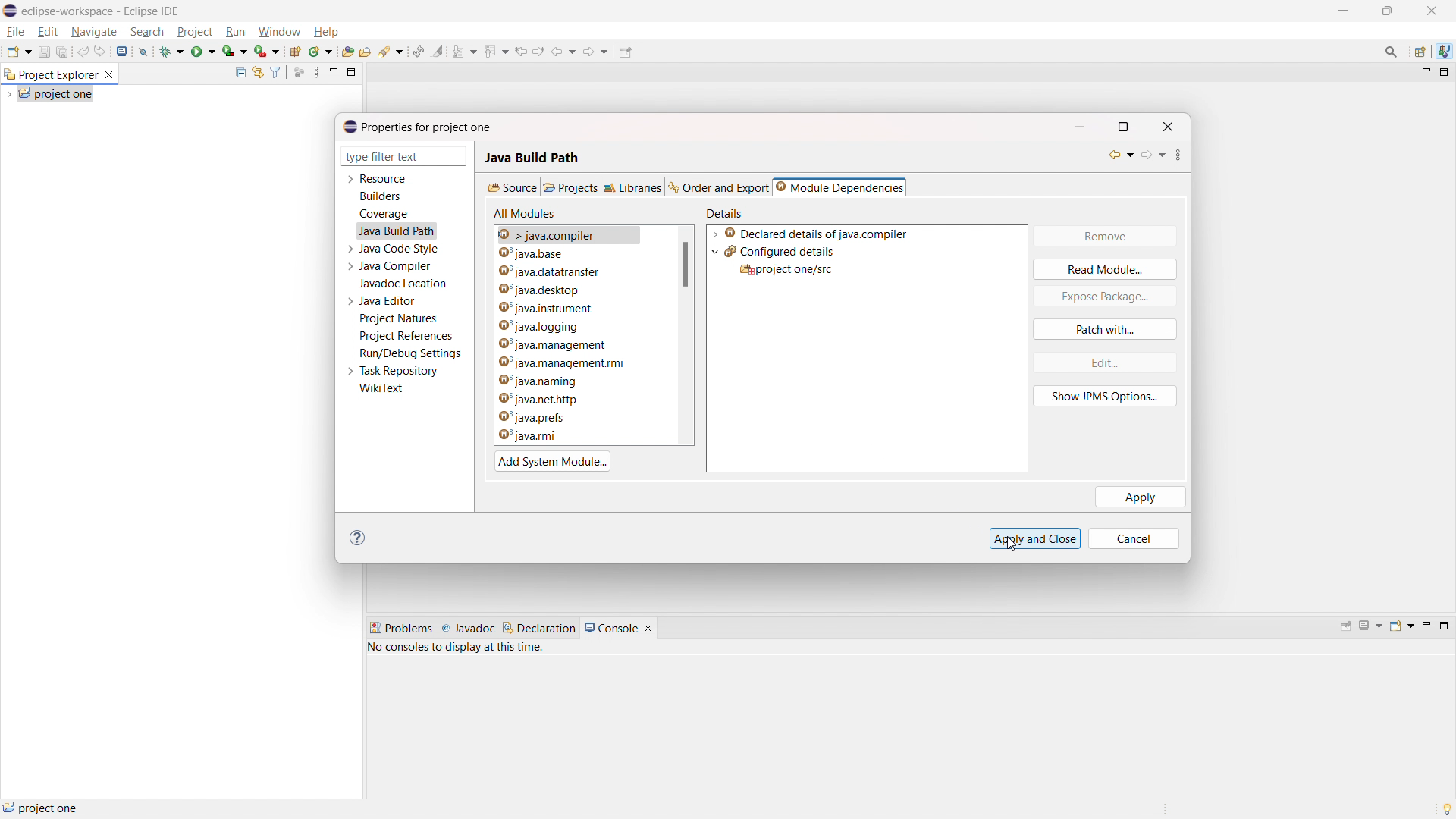 The image size is (1456, 819). I want to click on coverage, so click(235, 51).